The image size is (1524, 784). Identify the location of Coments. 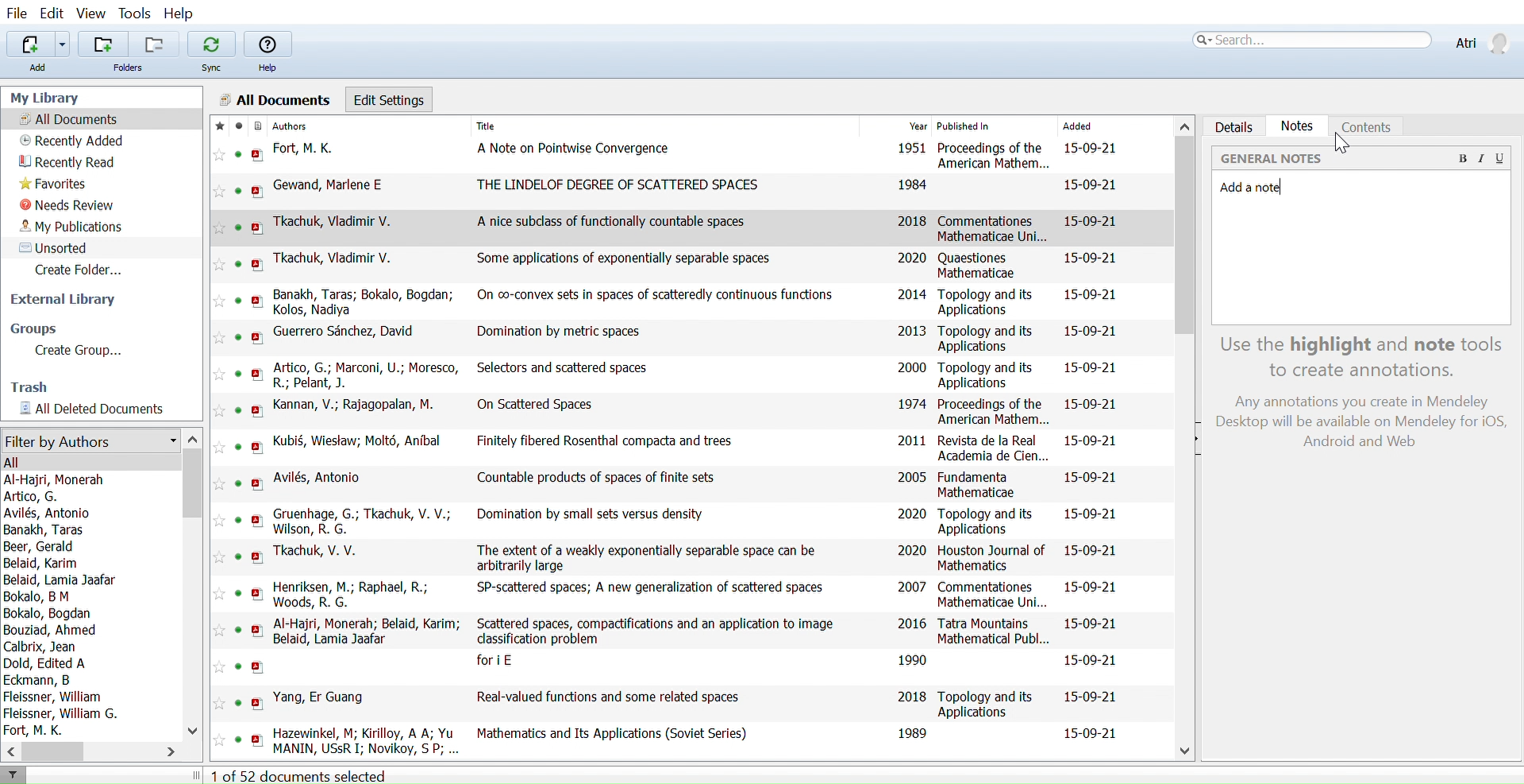
(1367, 127).